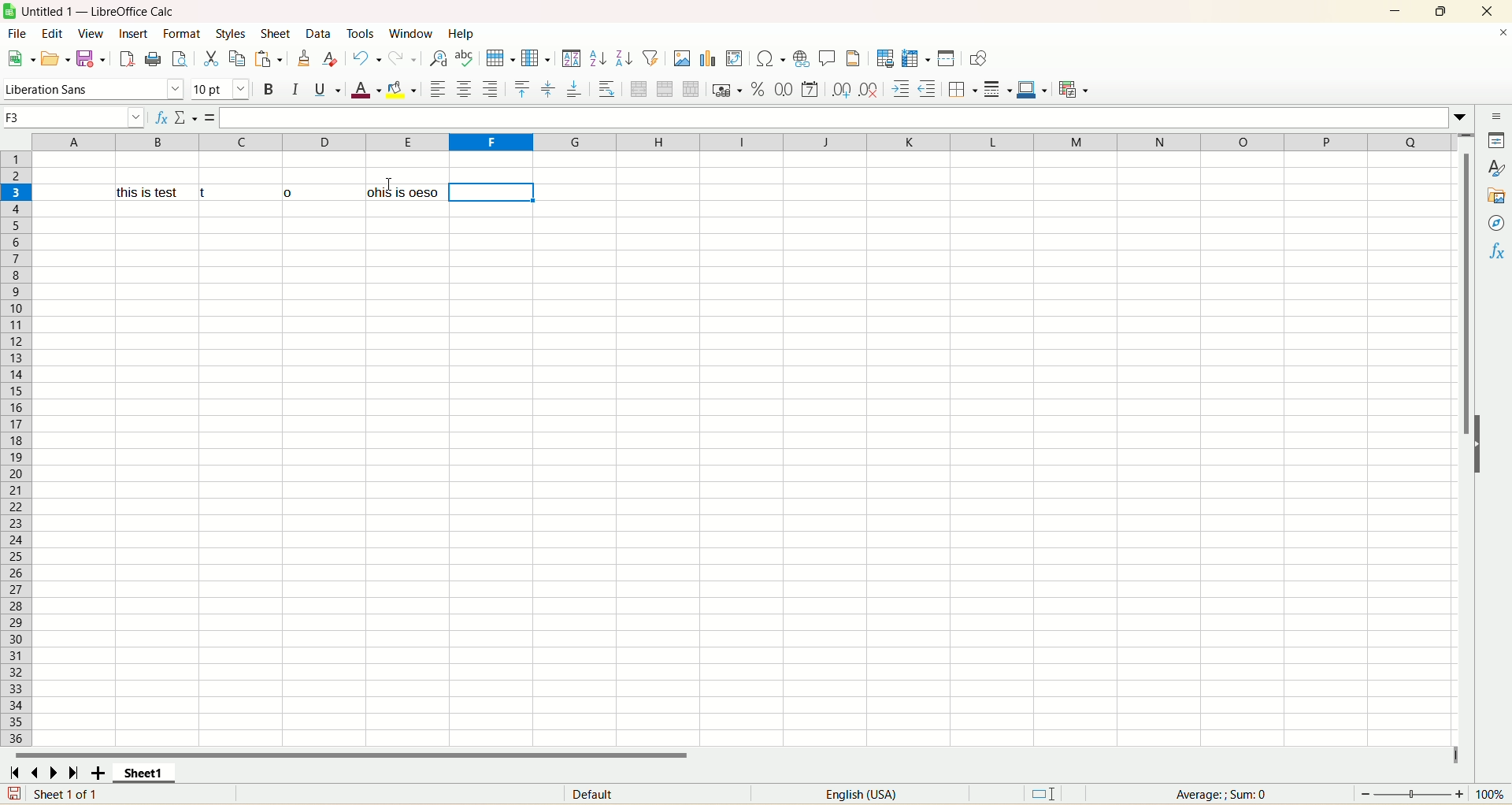  I want to click on align right, so click(491, 88).